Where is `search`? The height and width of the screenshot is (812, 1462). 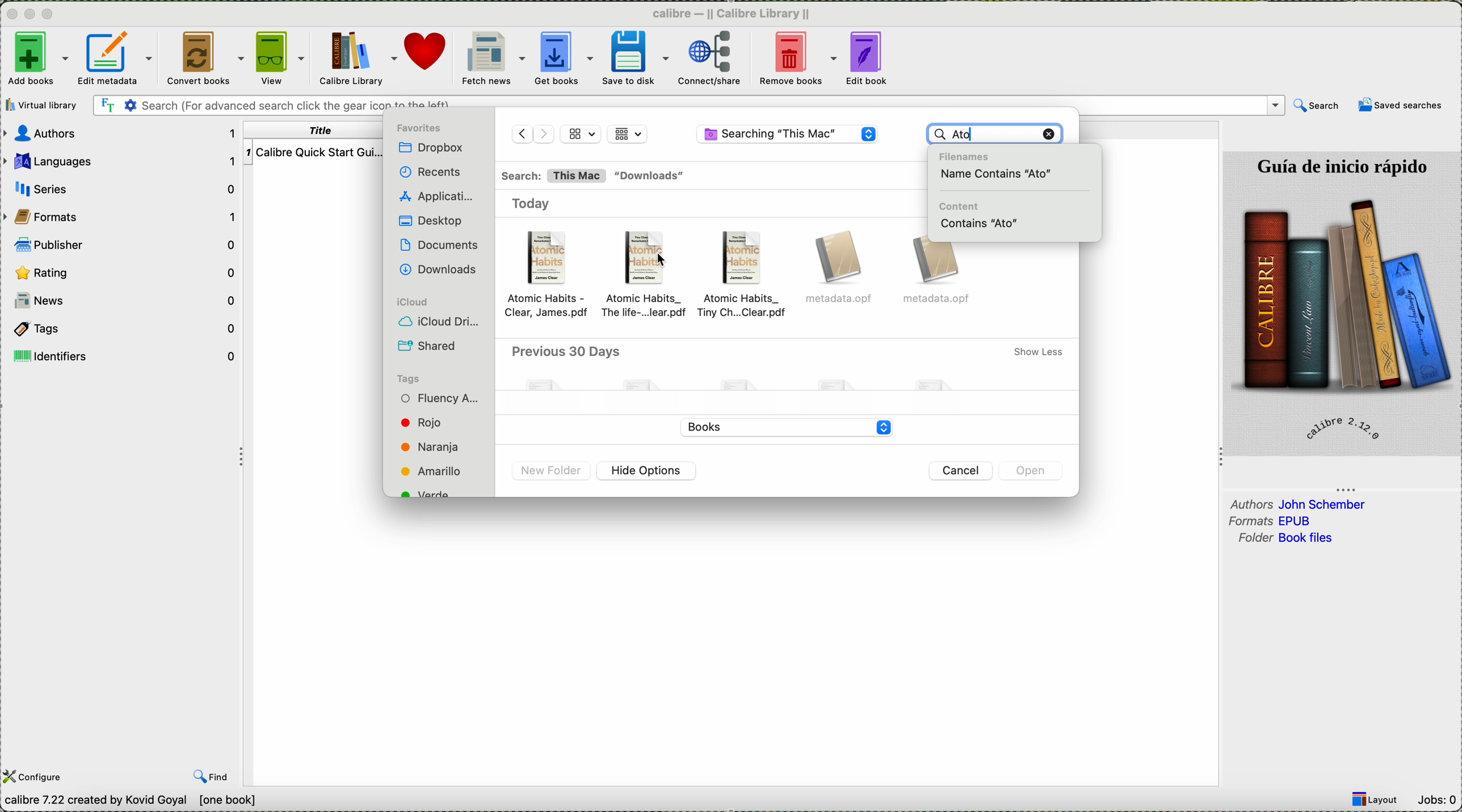
search is located at coordinates (1317, 106).